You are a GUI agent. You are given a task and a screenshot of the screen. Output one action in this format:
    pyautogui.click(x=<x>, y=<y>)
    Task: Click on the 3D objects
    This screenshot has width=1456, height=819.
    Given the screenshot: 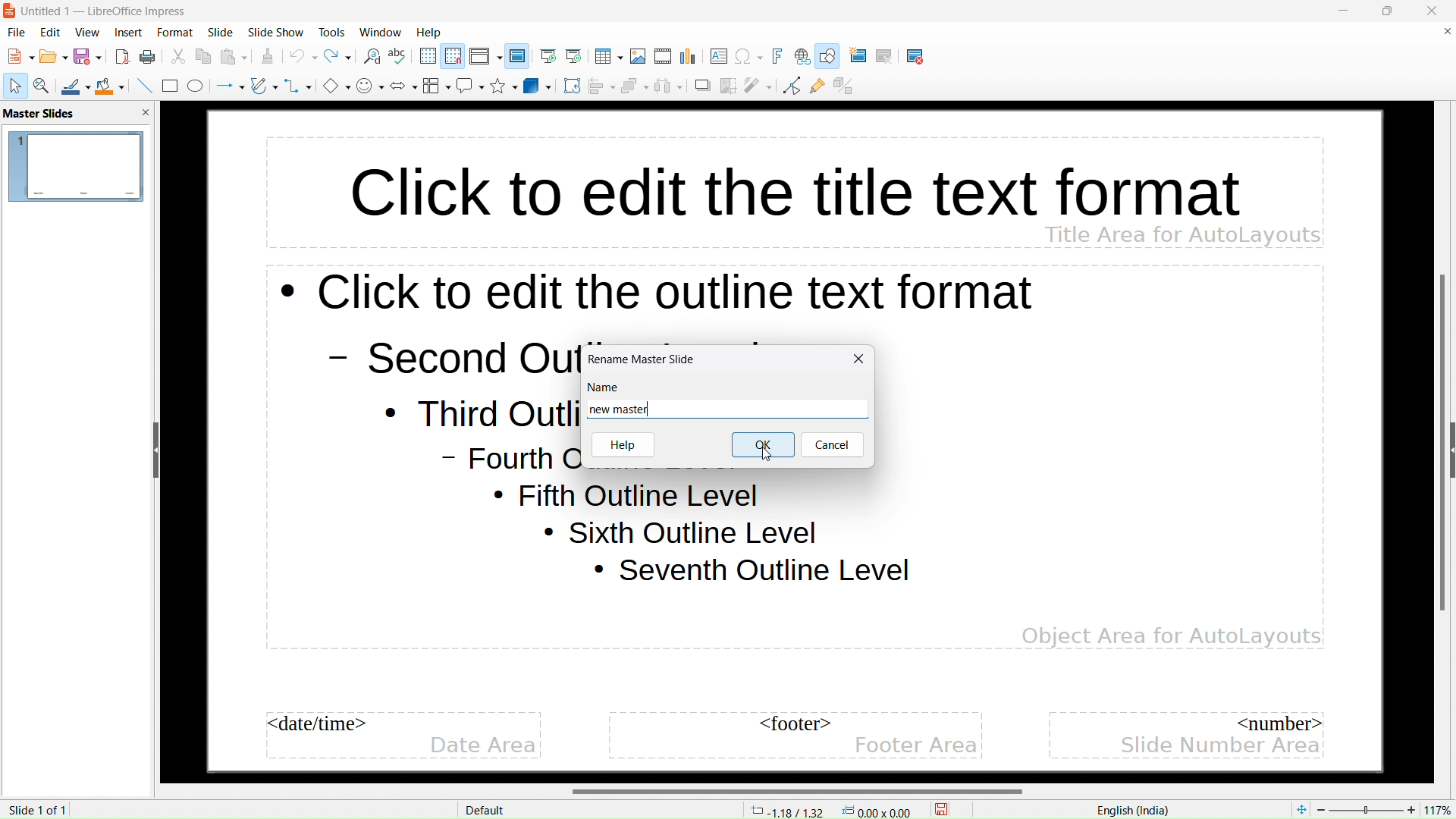 What is the action you would take?
    pyautogui.click(x=538, y=86)
    